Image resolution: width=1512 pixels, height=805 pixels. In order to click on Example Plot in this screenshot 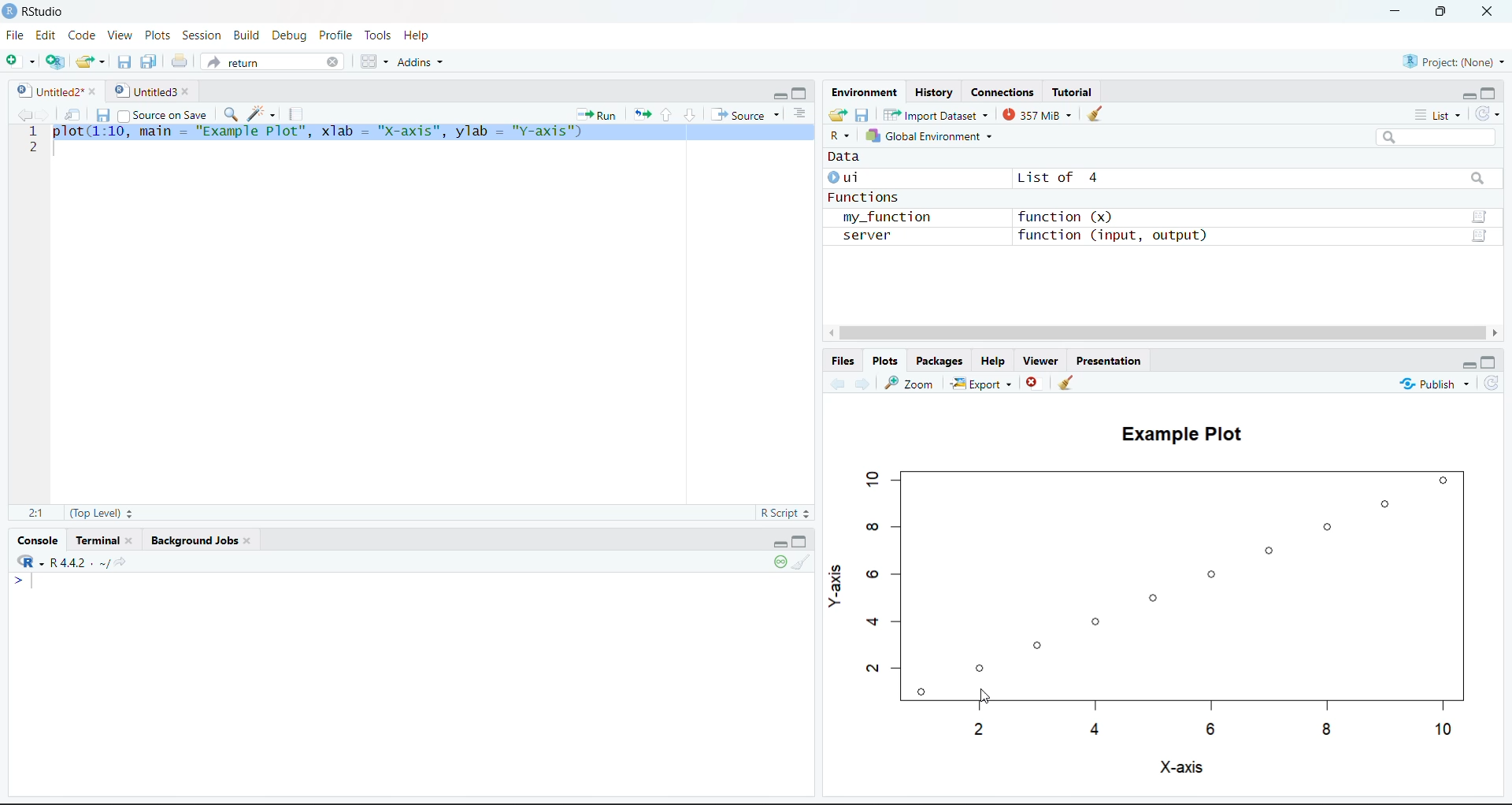, I will do `click(1177, 431)`.